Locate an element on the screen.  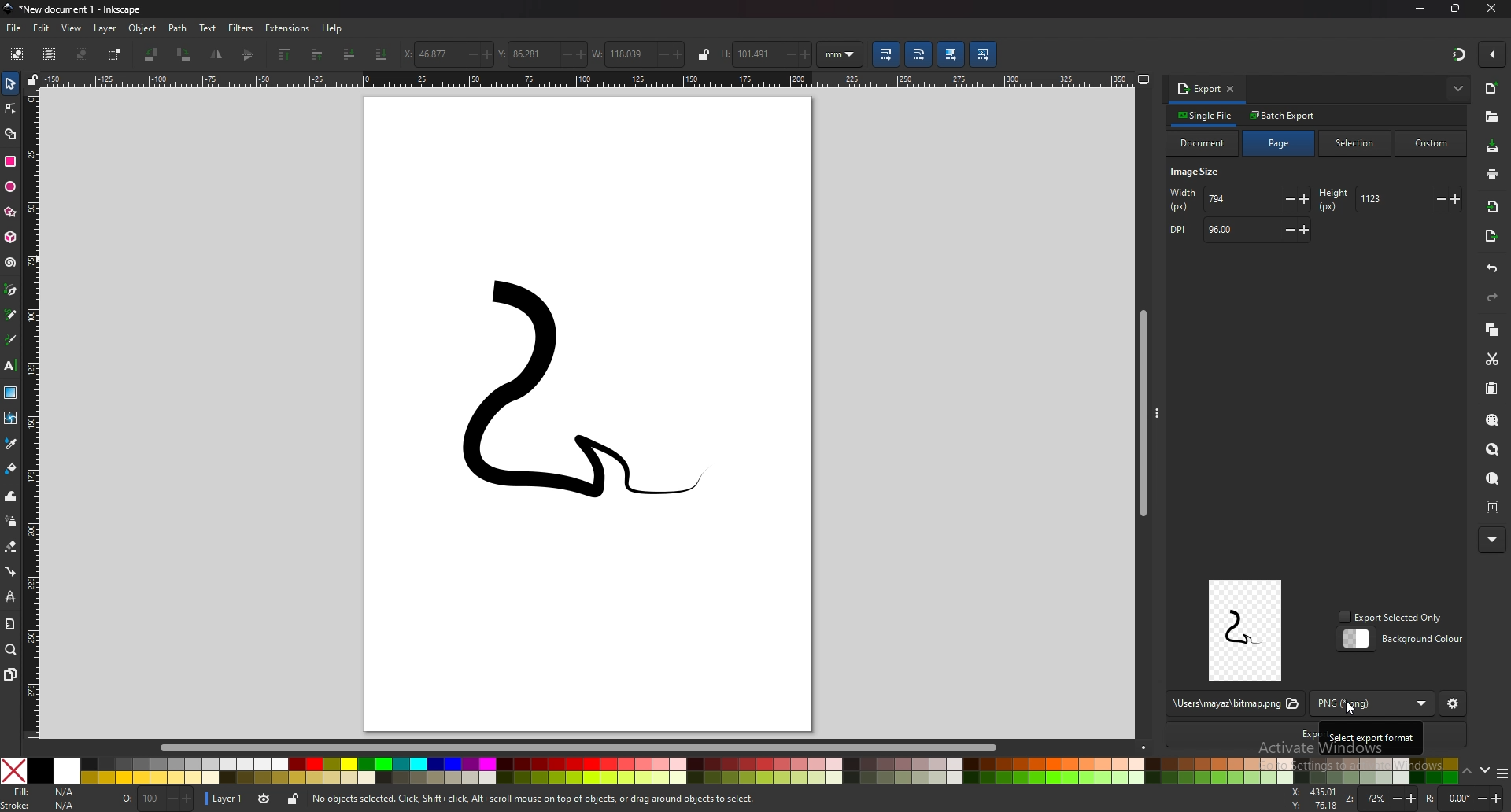
info is located at coordinates (535, 799).